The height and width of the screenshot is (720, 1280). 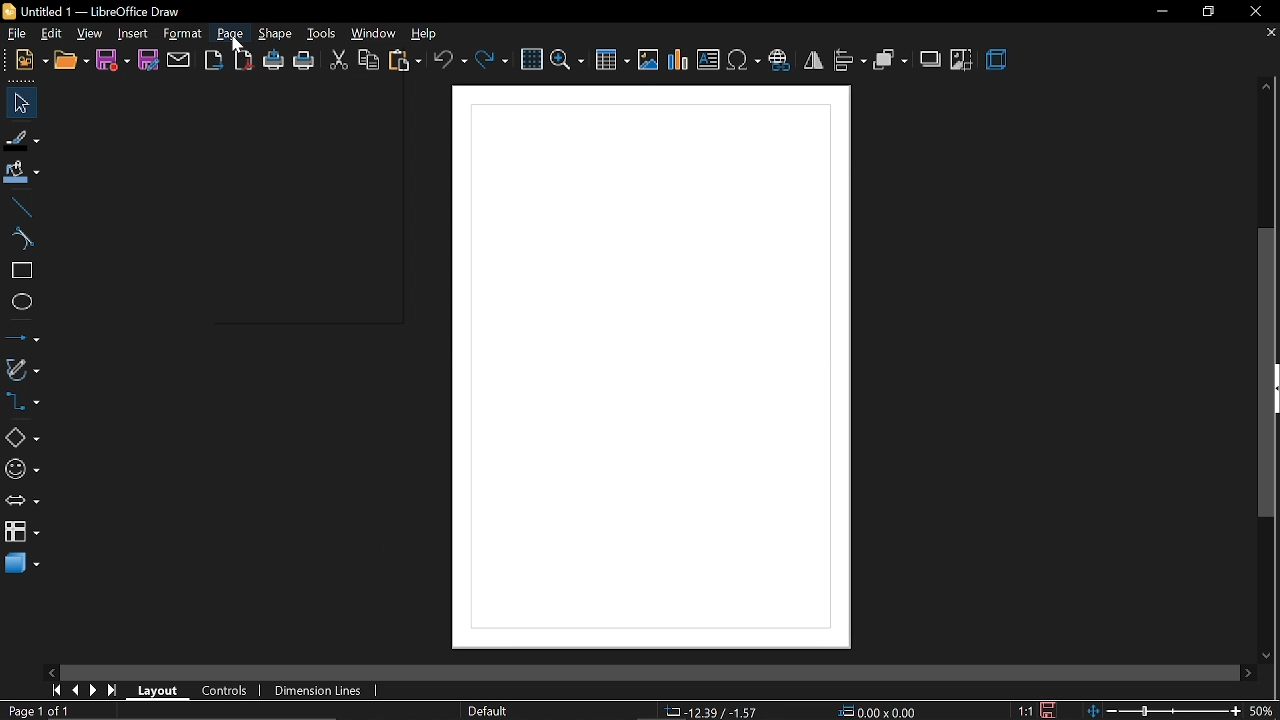 I want to click on format, so click(x=183, y=34).